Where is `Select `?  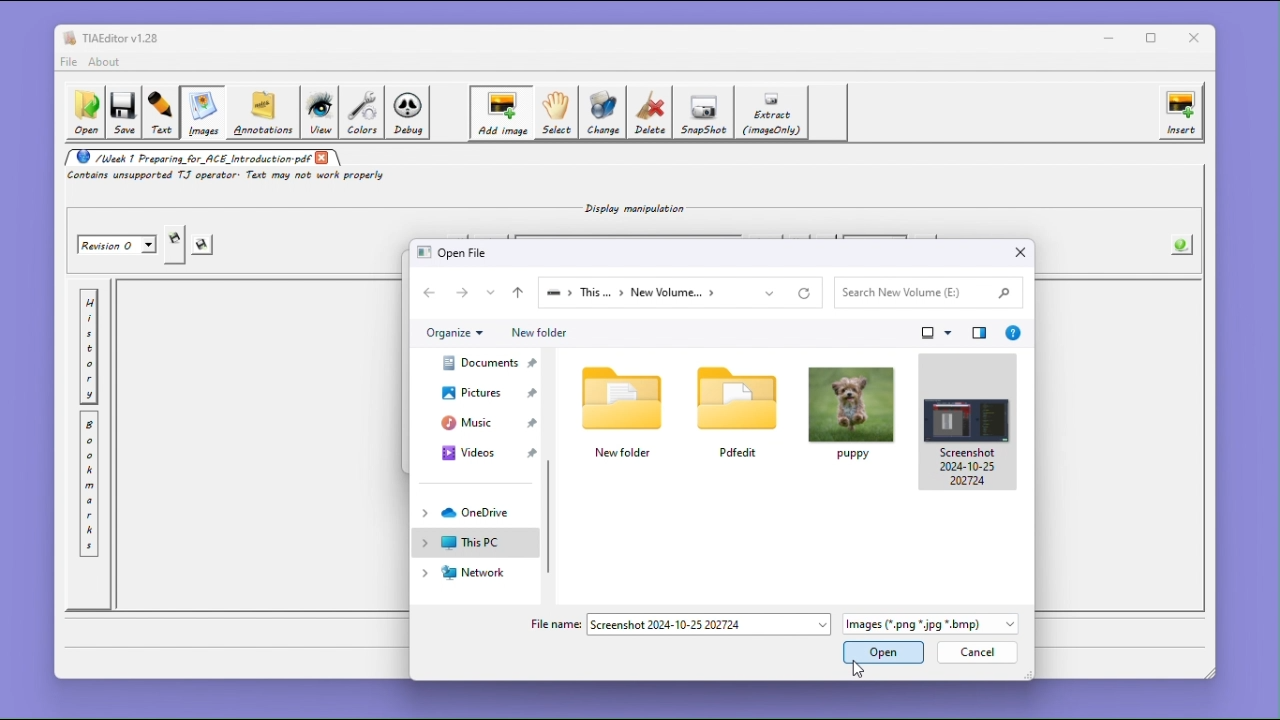
Select  is located at coordinates (555, 113).